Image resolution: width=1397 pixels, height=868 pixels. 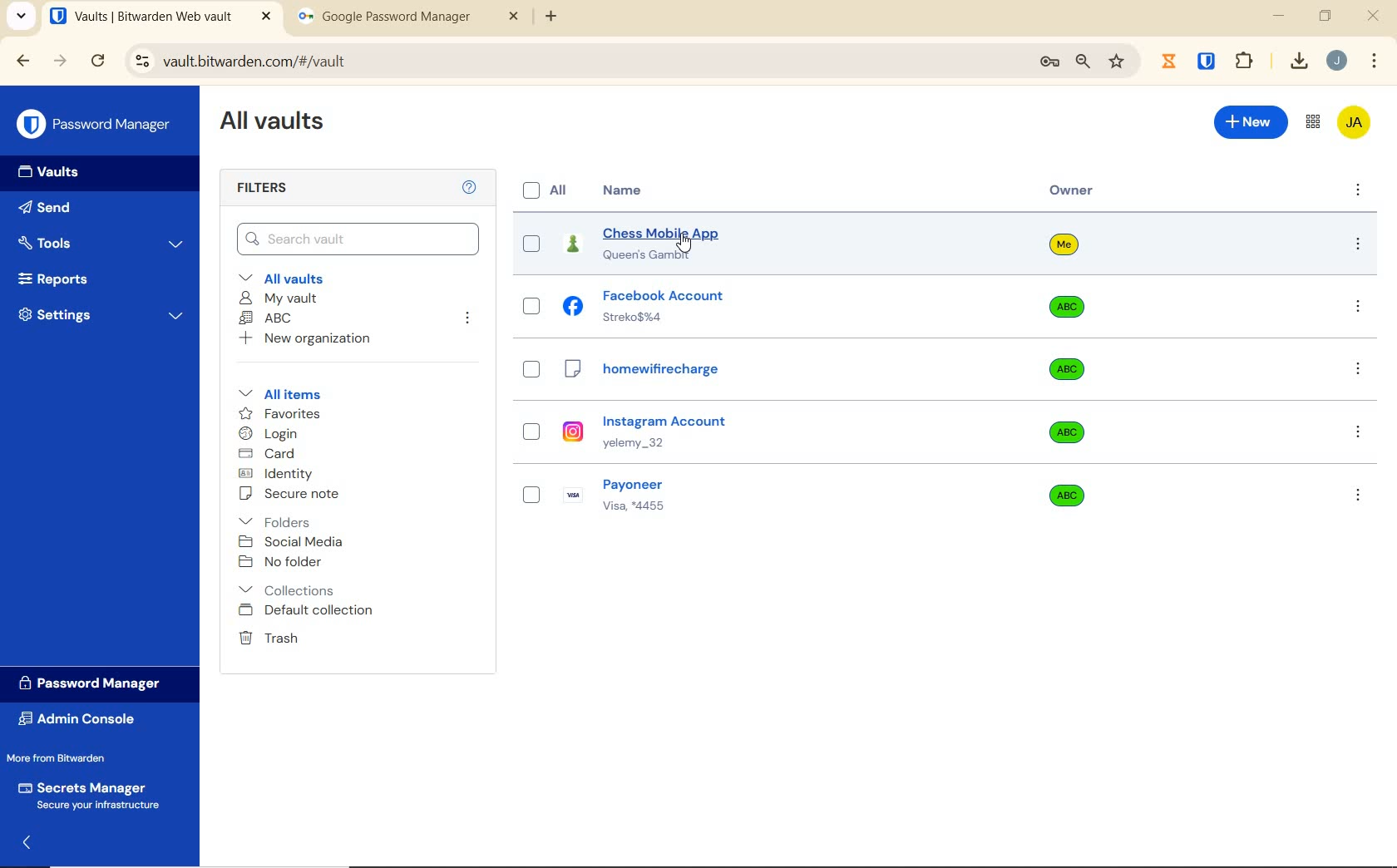 I want to click on My Vault, so click(x=281, y=297).